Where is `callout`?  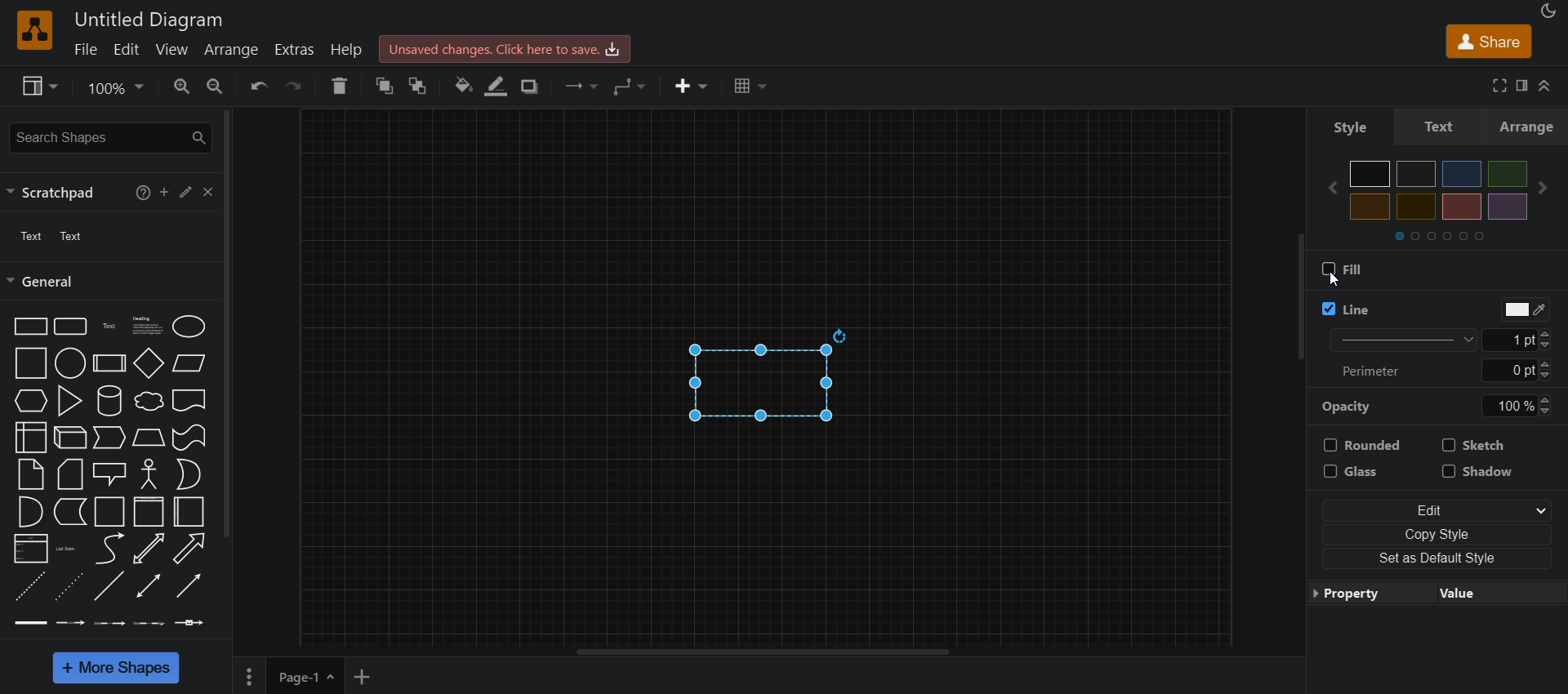
callout is located at coordinates (109, 474).